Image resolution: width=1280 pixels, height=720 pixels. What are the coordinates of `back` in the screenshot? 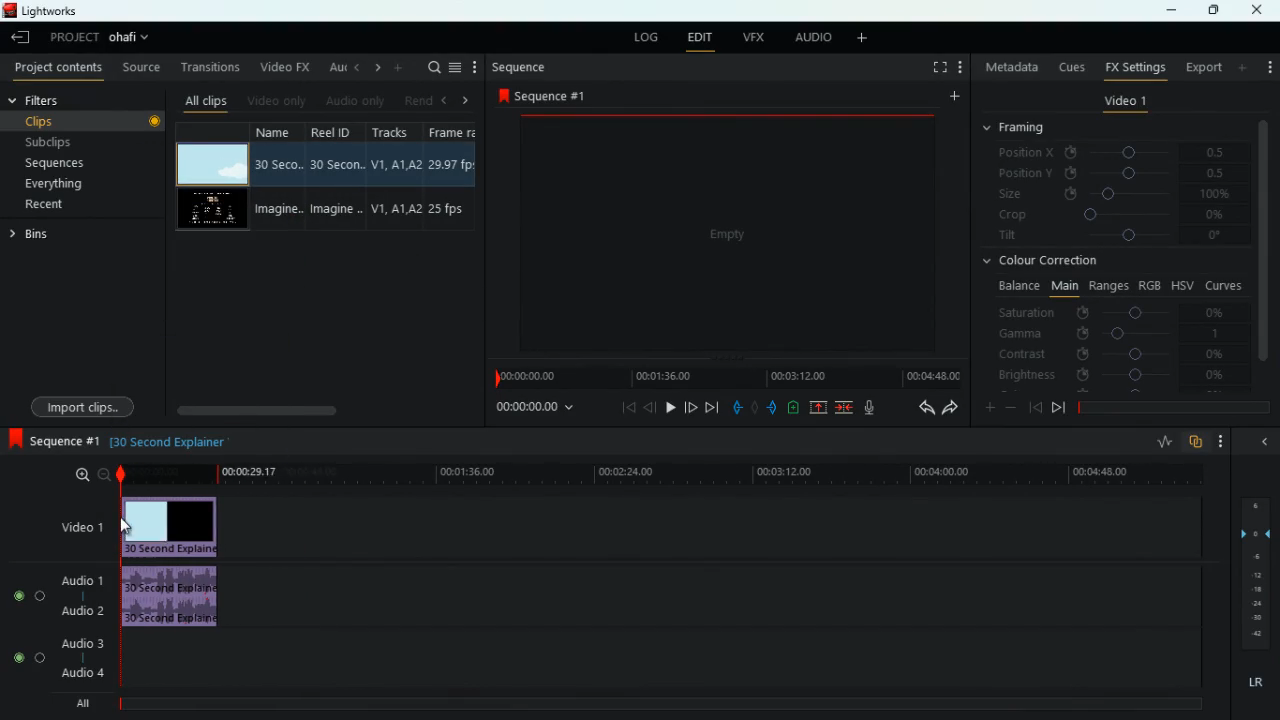 It's located at (919, 408).